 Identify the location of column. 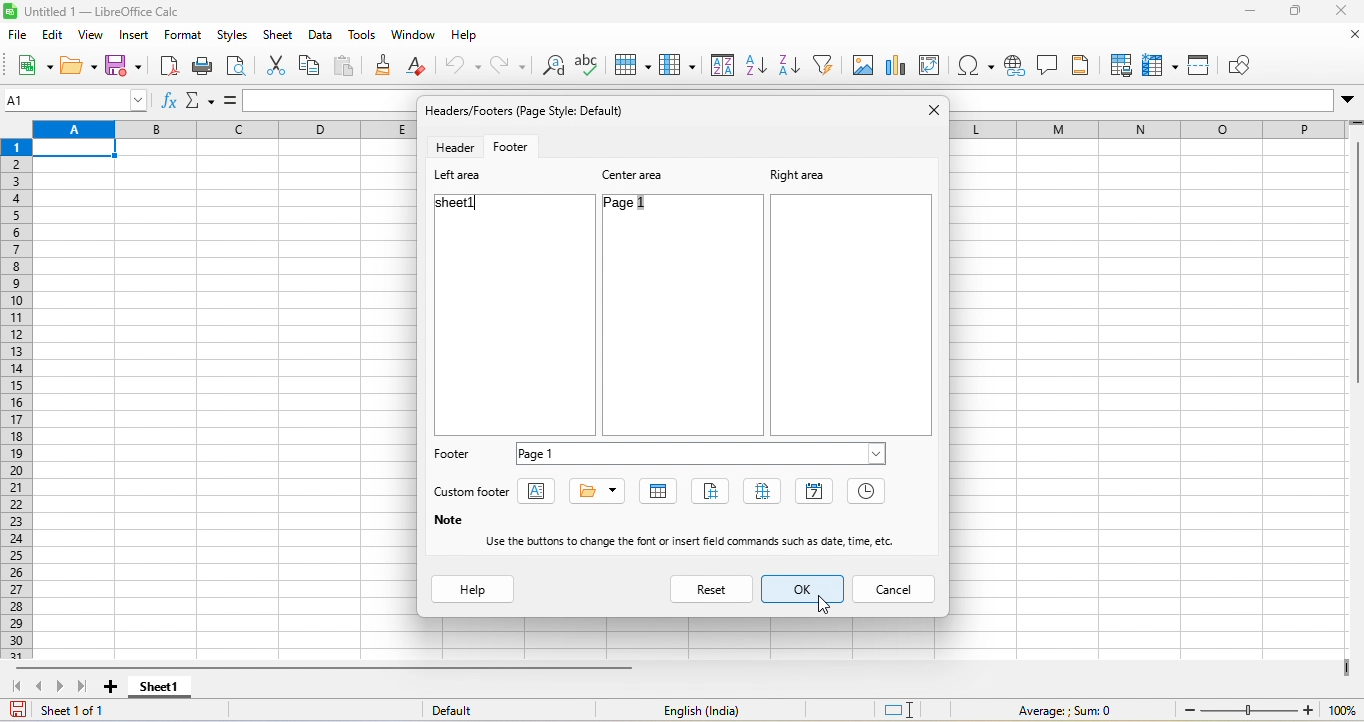
(680, 65).